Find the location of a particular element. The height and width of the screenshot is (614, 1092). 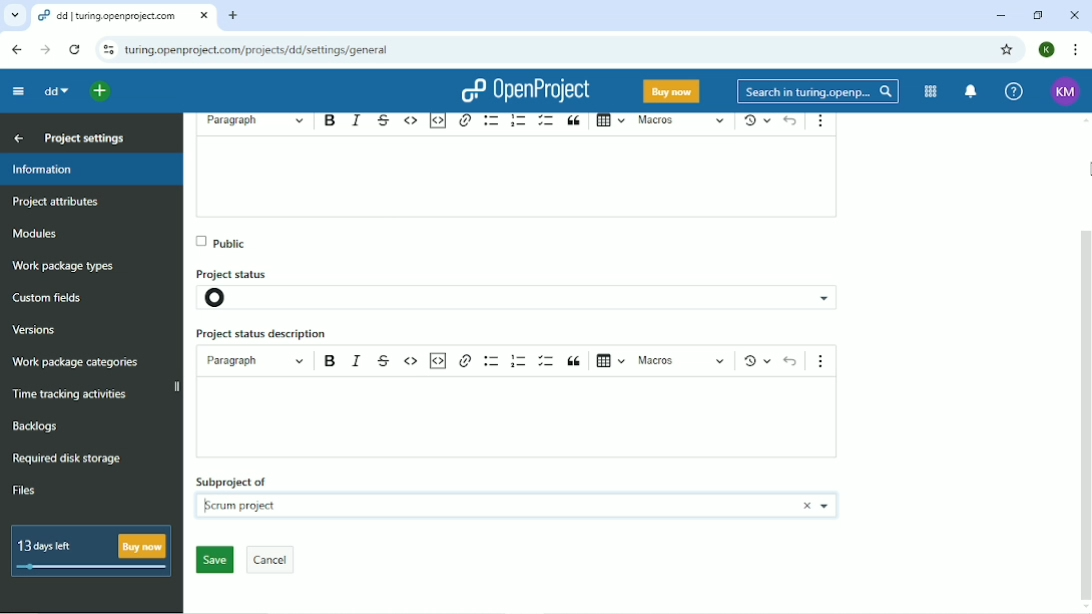

Paragraph is located at coordinates (255, 360).